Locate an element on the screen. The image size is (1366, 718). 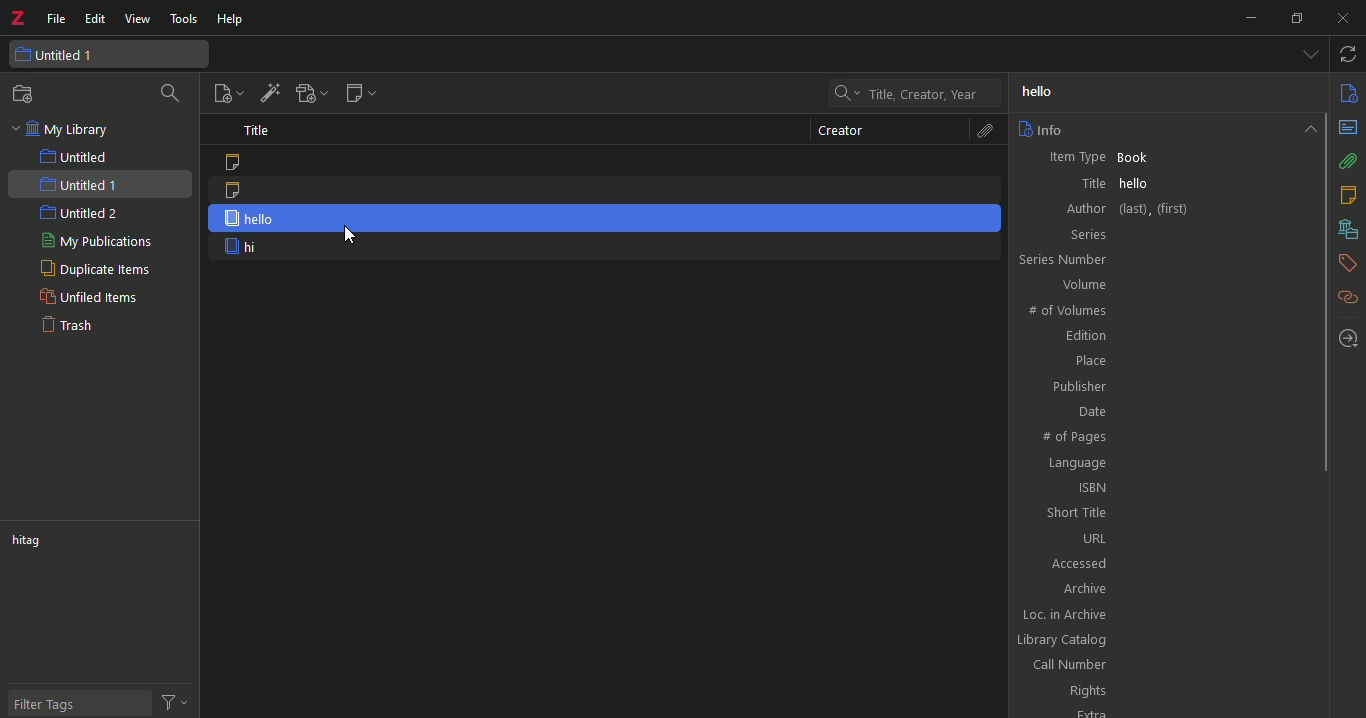
accessed is located at coordinates (1084, 563).